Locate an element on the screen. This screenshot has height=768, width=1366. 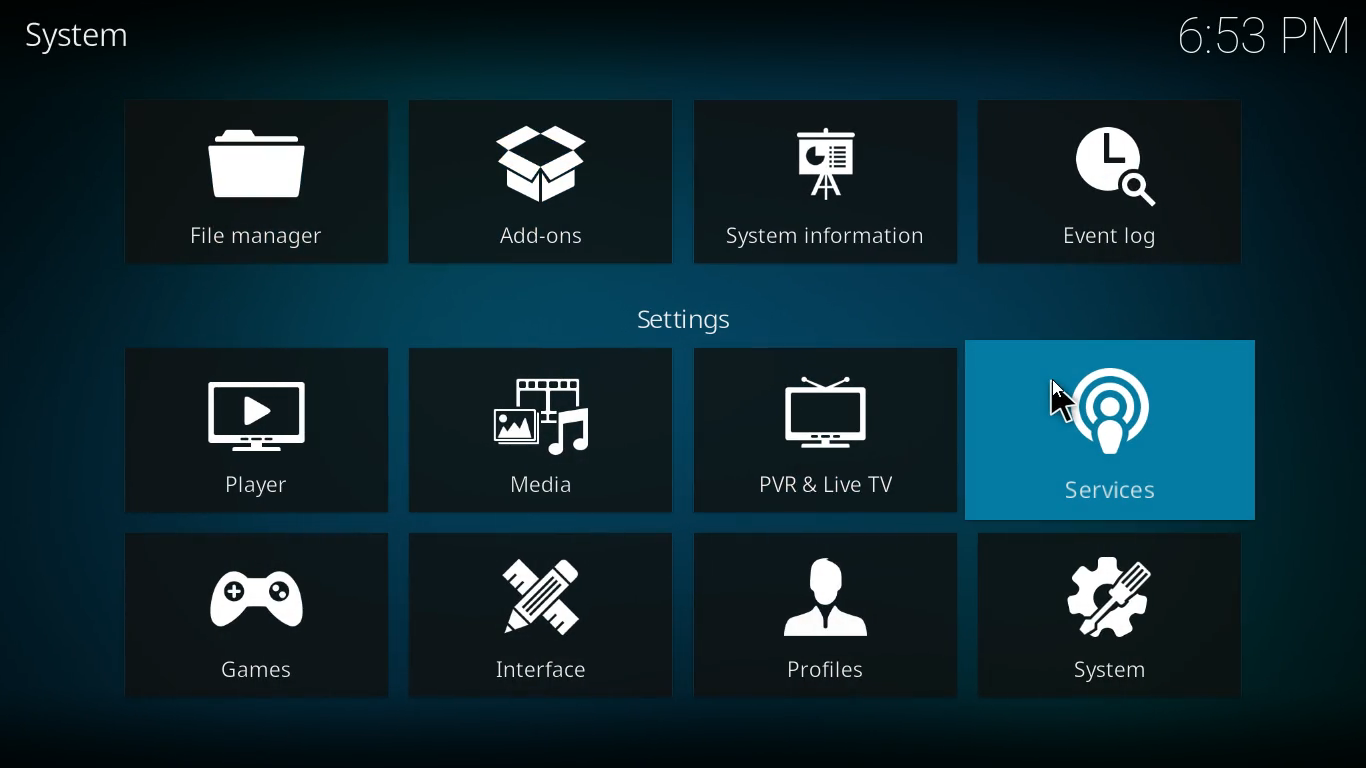
event log is located at coordinates (1119, 193).